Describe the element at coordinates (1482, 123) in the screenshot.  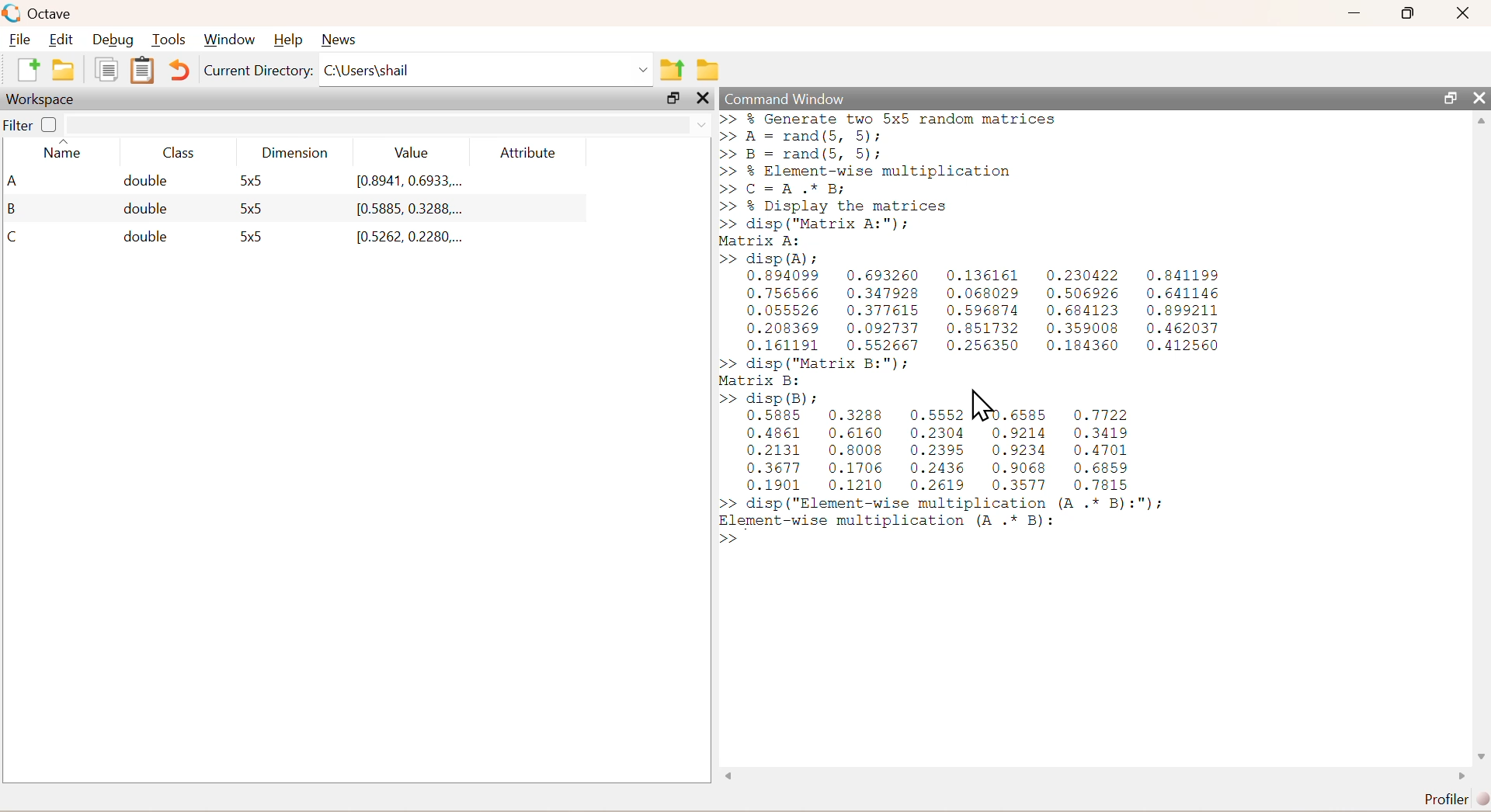
I see `Up` at that location.